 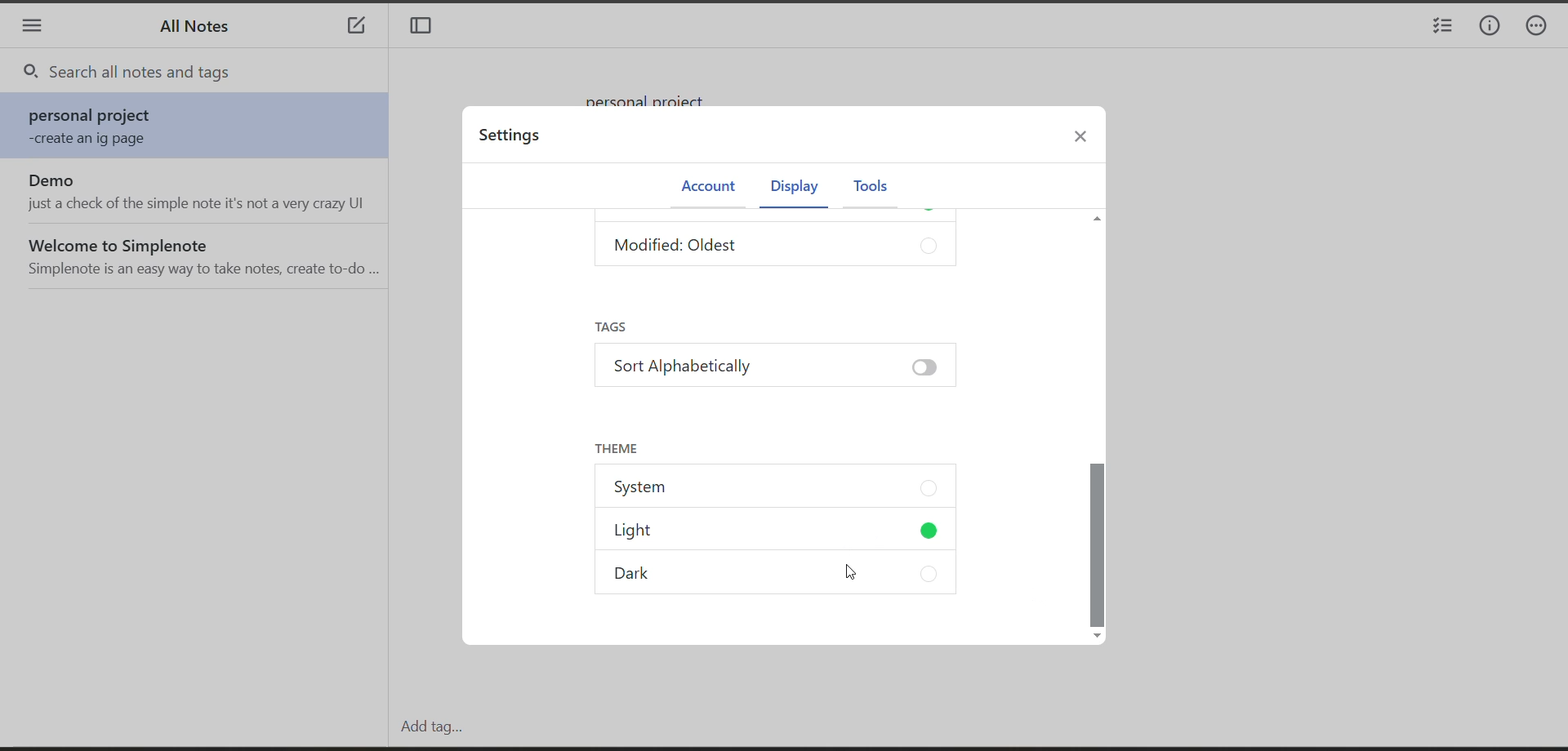 I want to click on light, so click(x=780, y=535).